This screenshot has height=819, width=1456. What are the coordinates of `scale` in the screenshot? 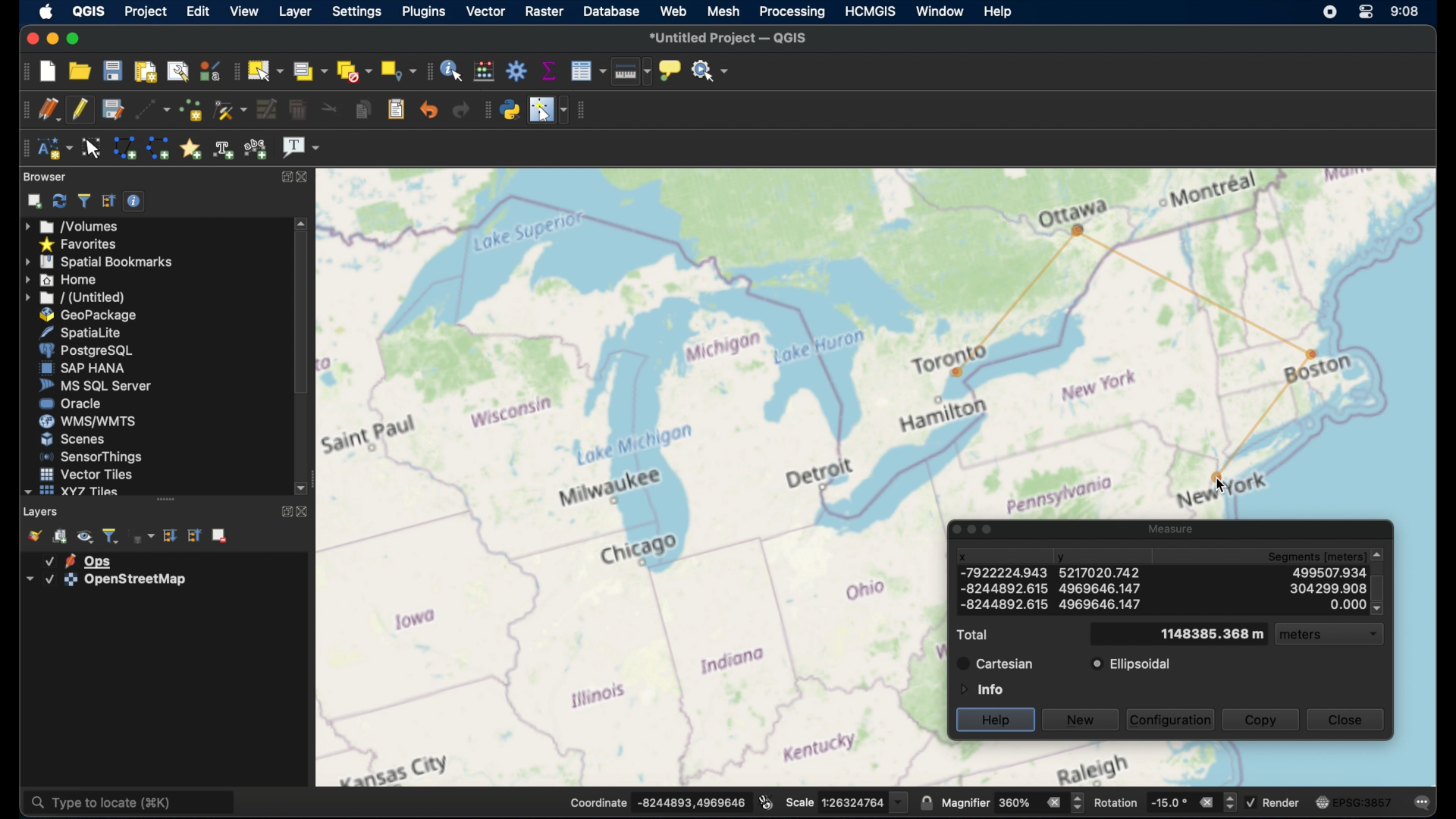 It's located at (846, 801).